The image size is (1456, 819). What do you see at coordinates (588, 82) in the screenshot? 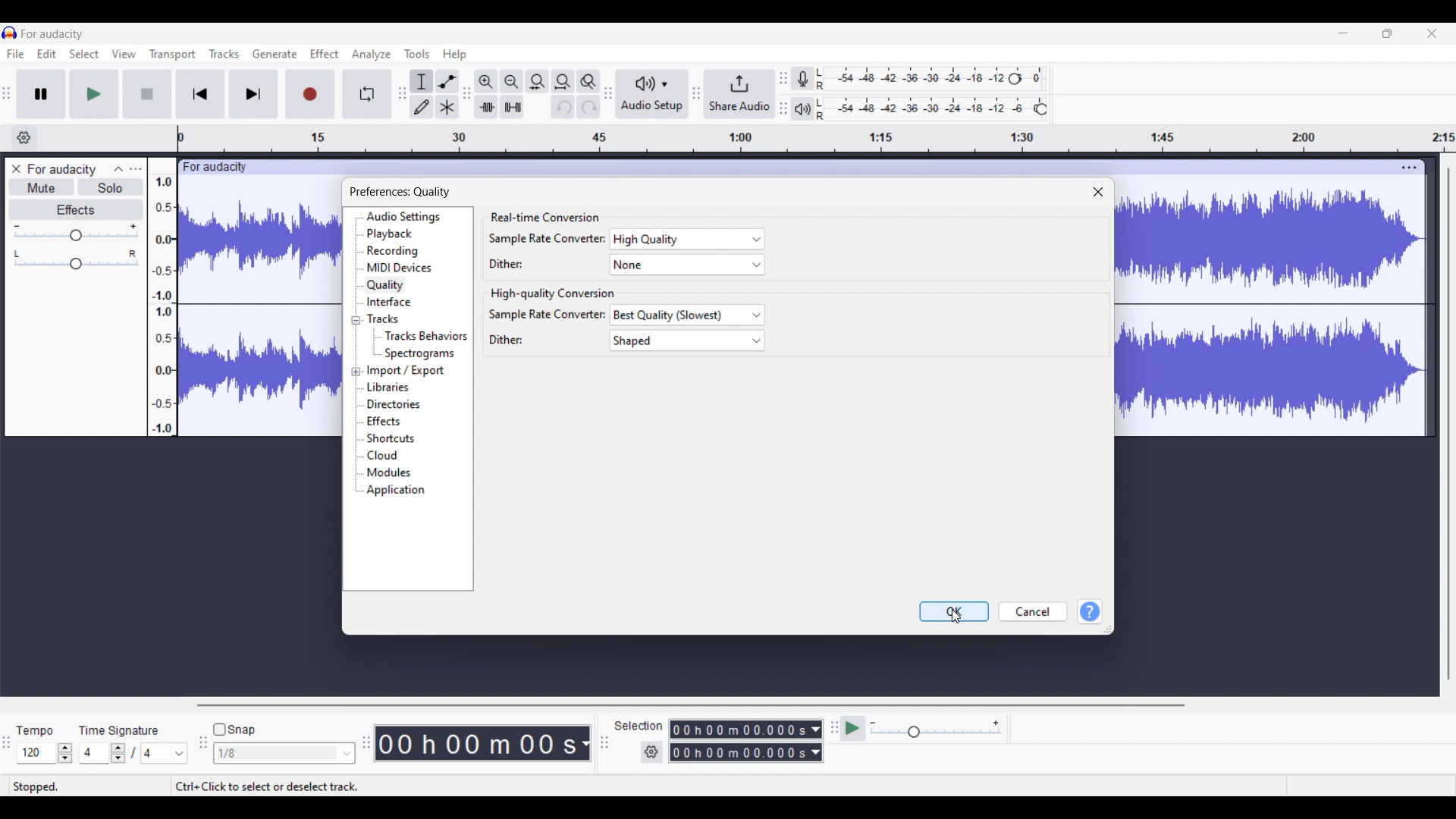
I see `Zoom toggle` at bounding box center [588, 82].